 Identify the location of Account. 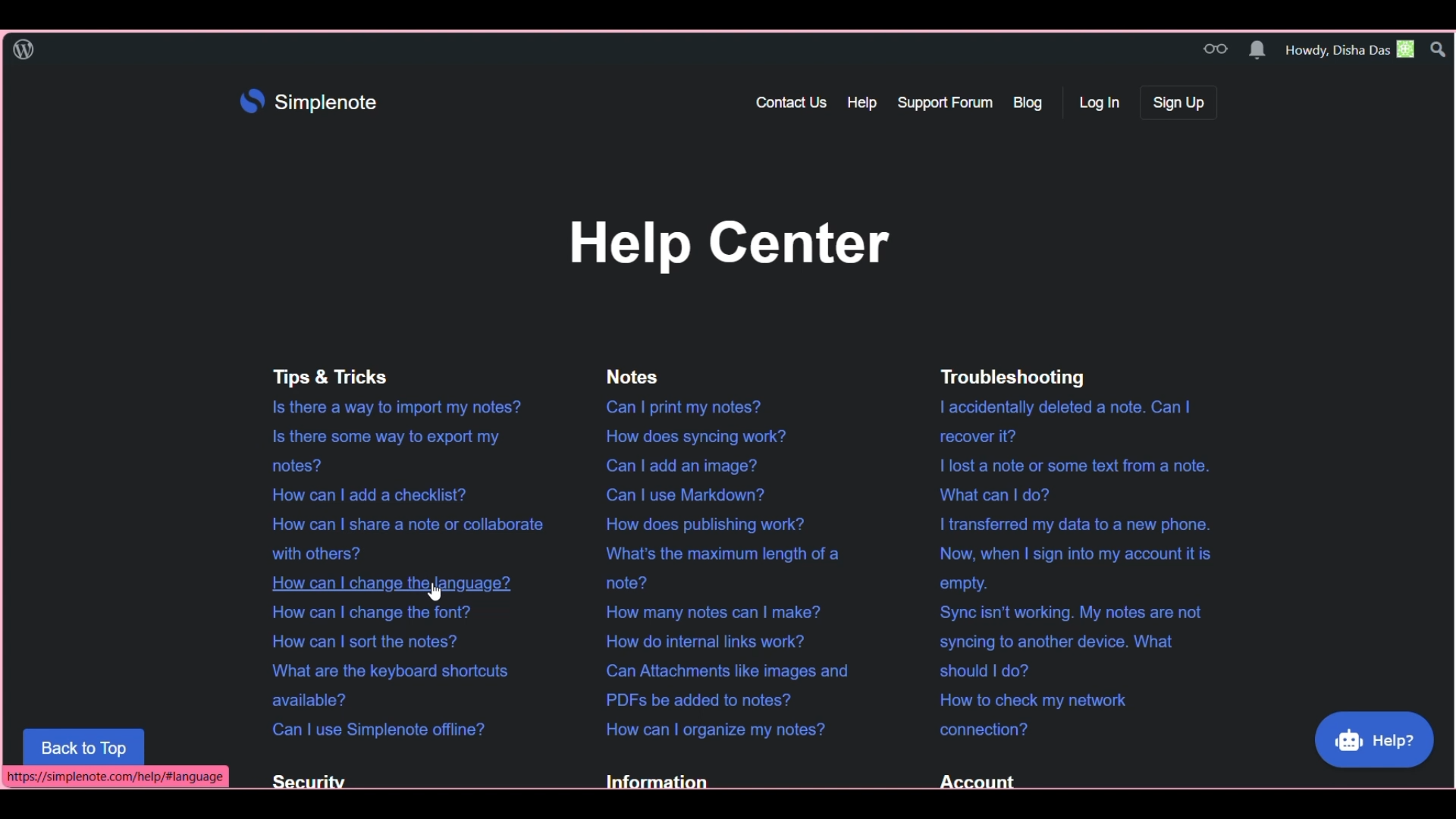
(971, 779).